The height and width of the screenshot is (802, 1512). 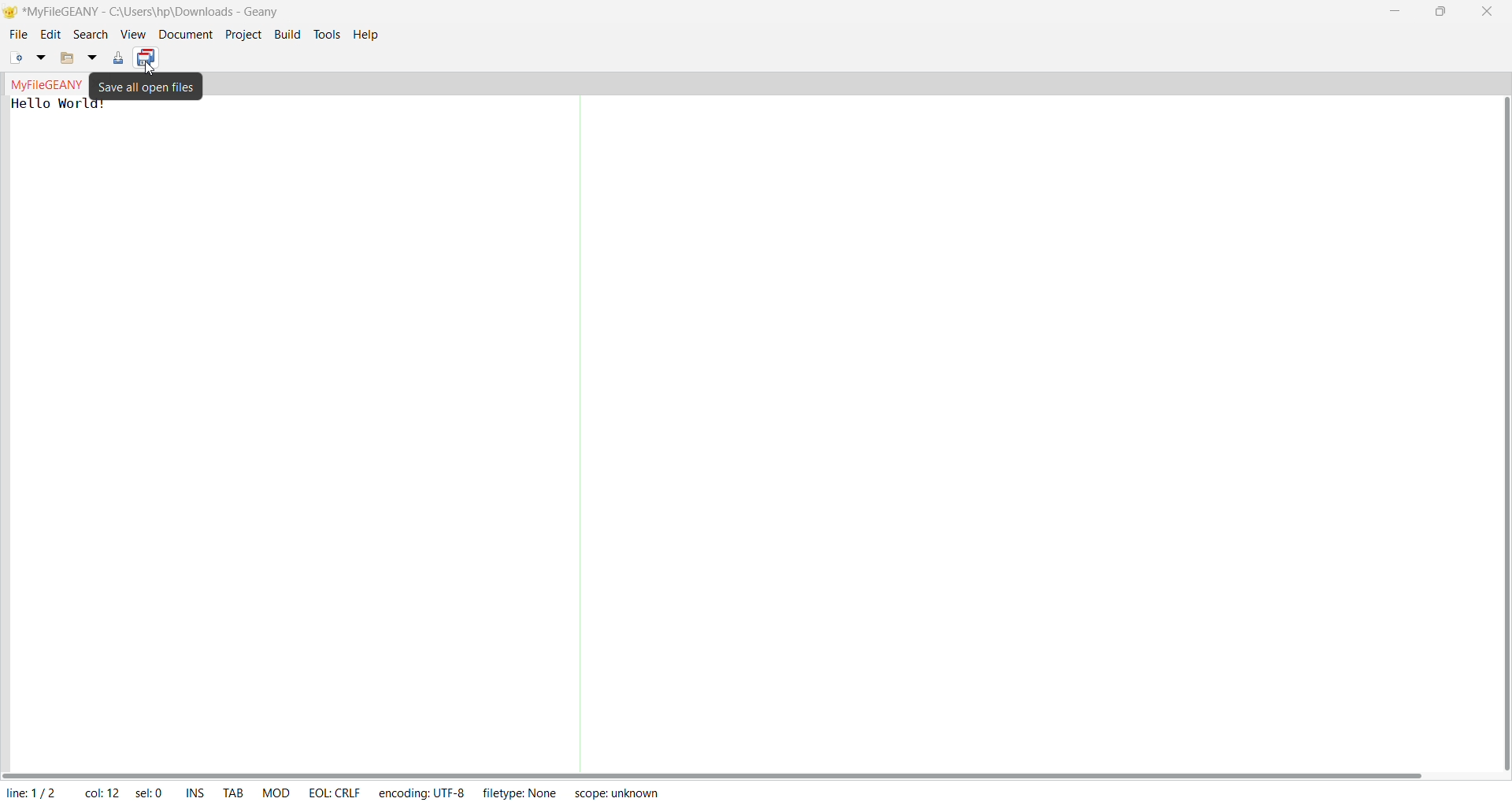 I want to click on cursor, so click(x=154, y=65).